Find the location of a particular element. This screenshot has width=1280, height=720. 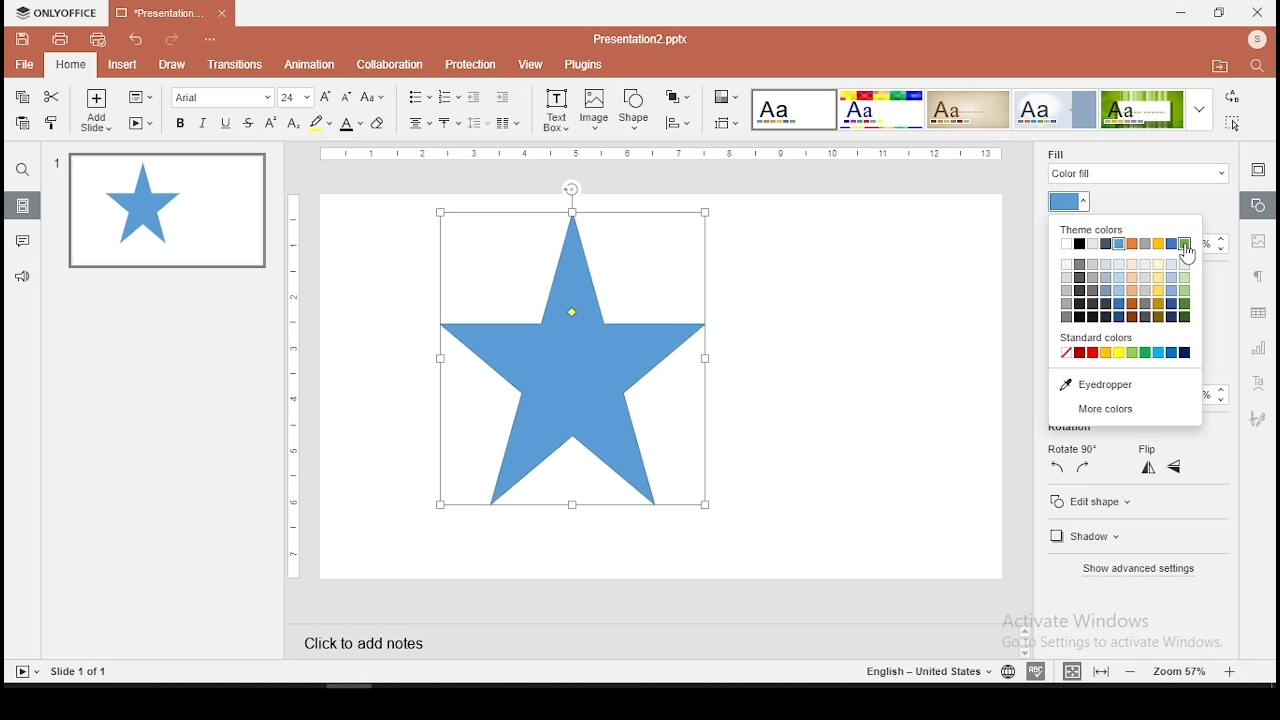

flip vertical is located at coordinates (1175, 467).